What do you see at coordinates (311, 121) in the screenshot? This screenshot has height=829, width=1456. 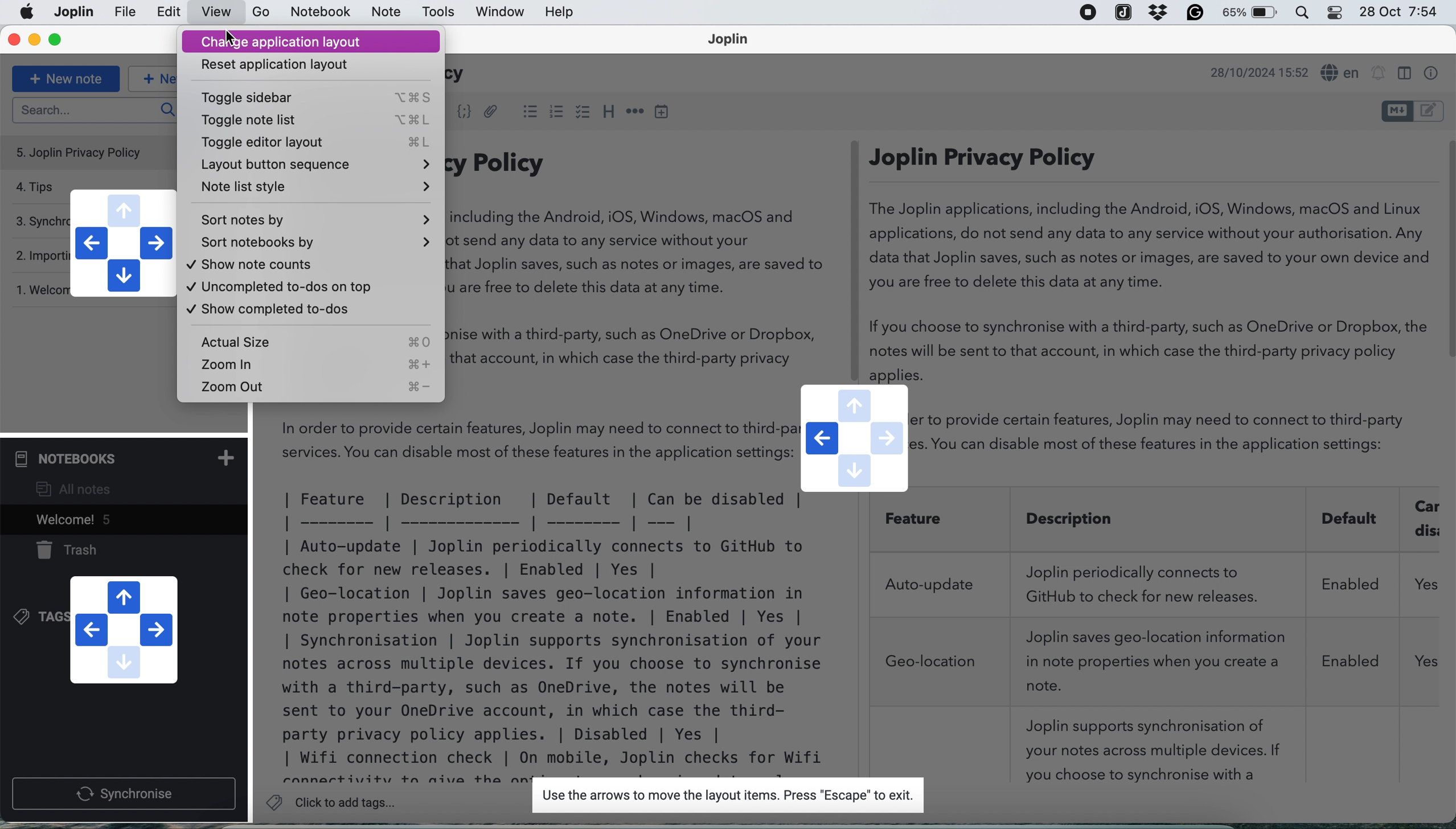 I see `Toggle note list` at bounding box center [311, 121].